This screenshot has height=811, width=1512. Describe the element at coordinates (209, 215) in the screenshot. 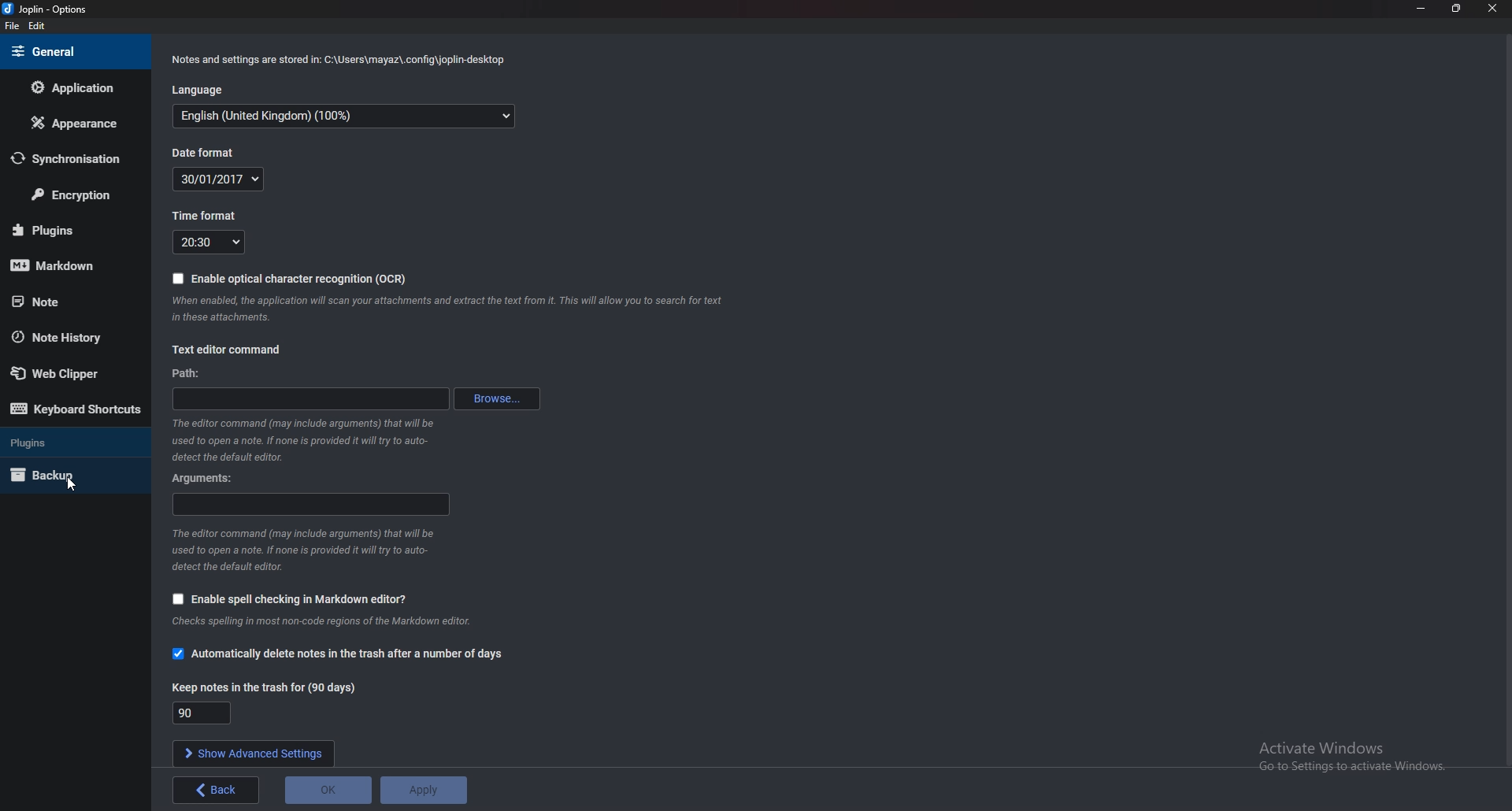

I see `Time format` at that location.